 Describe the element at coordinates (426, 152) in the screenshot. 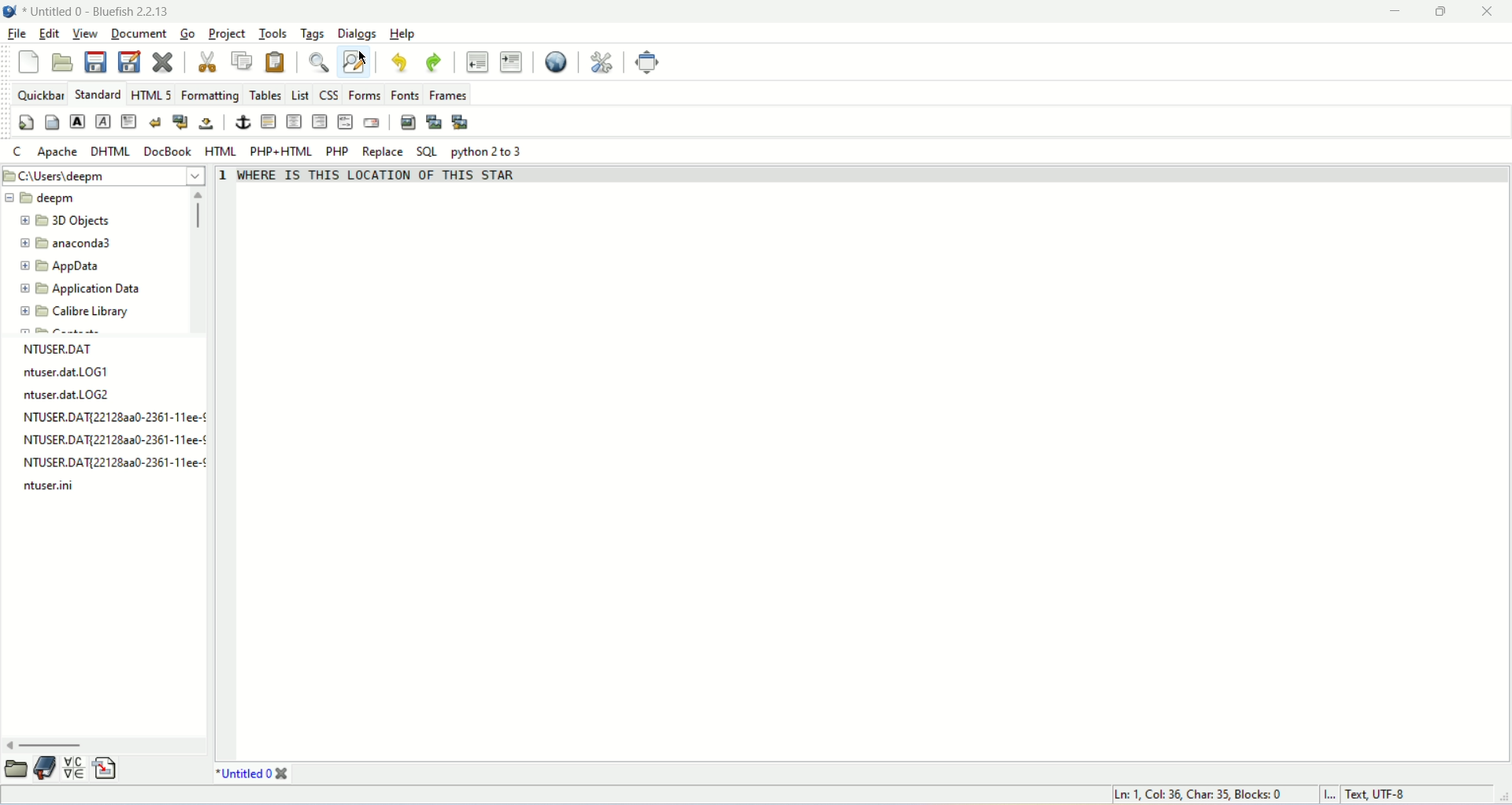

I see `SQL` at that location.